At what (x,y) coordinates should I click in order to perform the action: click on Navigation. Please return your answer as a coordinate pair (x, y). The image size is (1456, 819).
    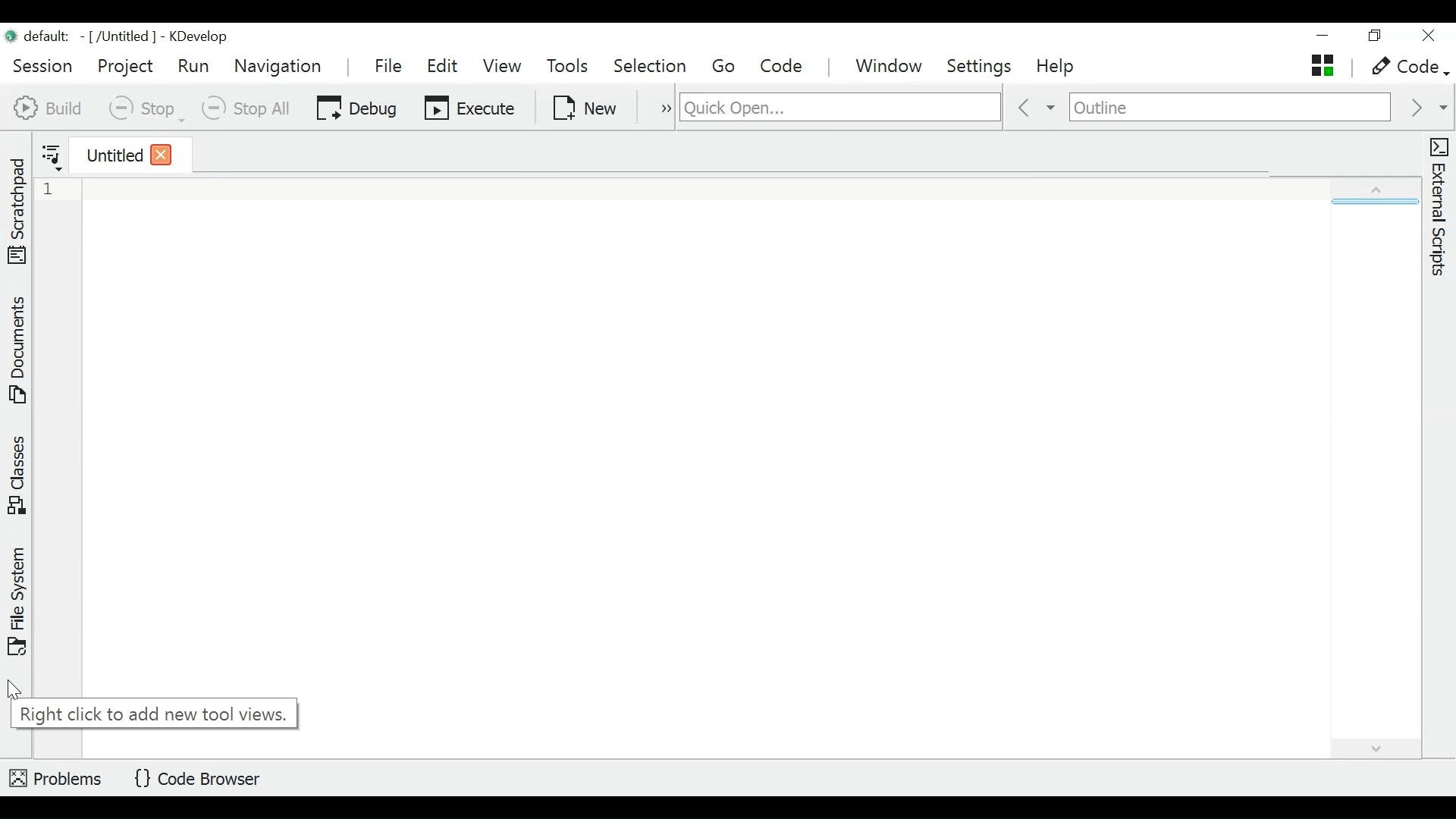
    Looking at the image, I should click on (281, 67).